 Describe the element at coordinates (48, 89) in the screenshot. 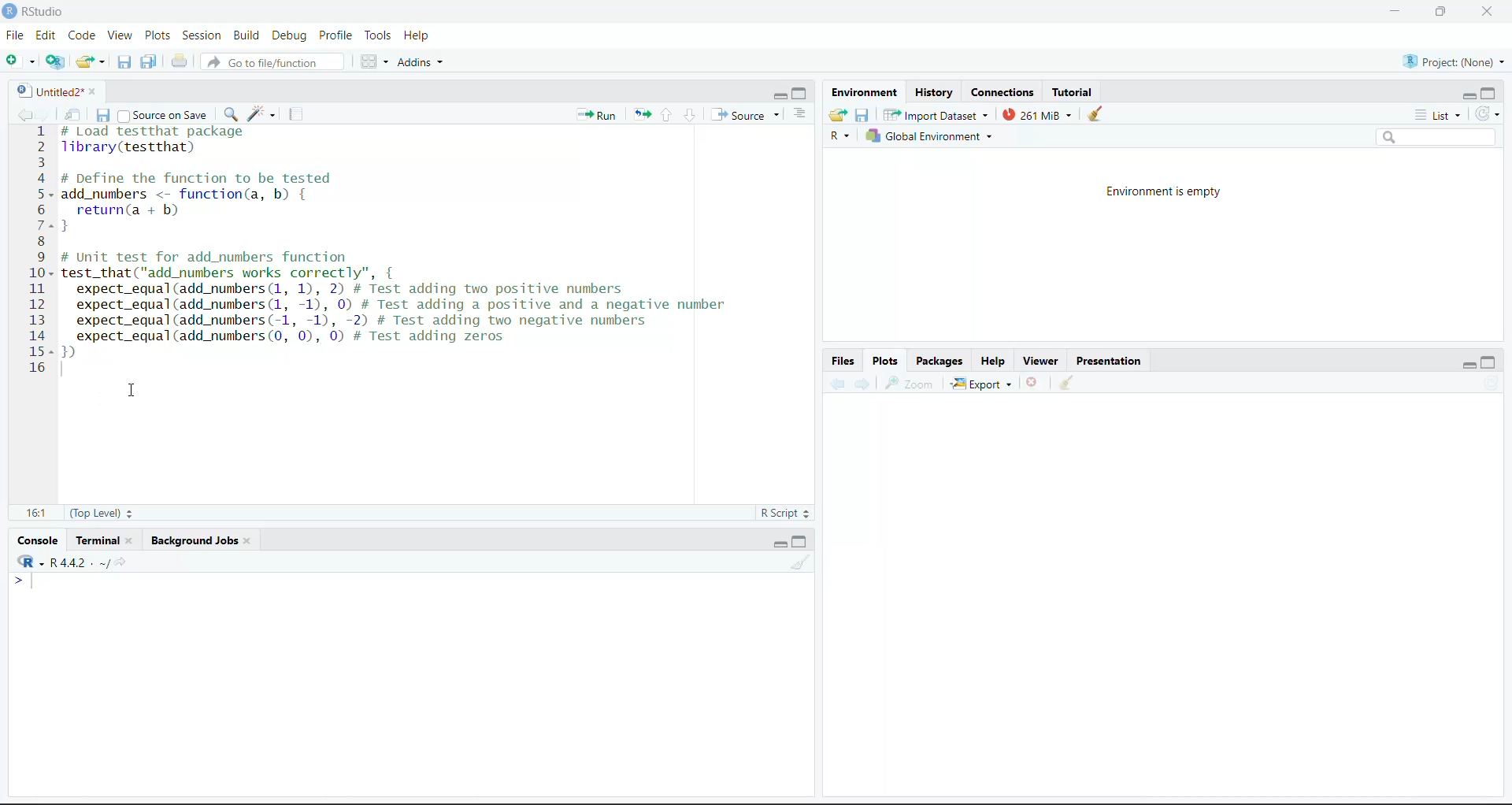

I see `Untitled2*` at that location.